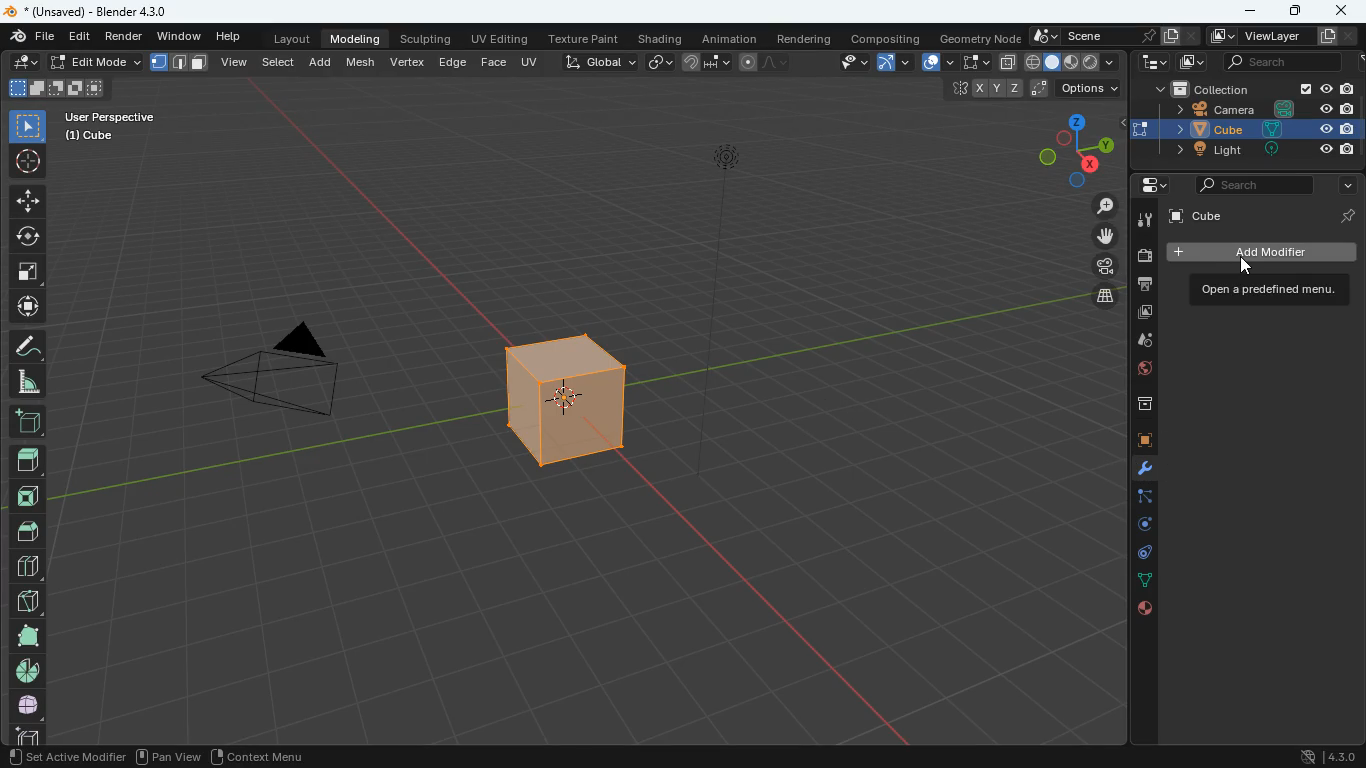 The image size is (1366, 768). I want to click on sculpting, so click(428, 36).